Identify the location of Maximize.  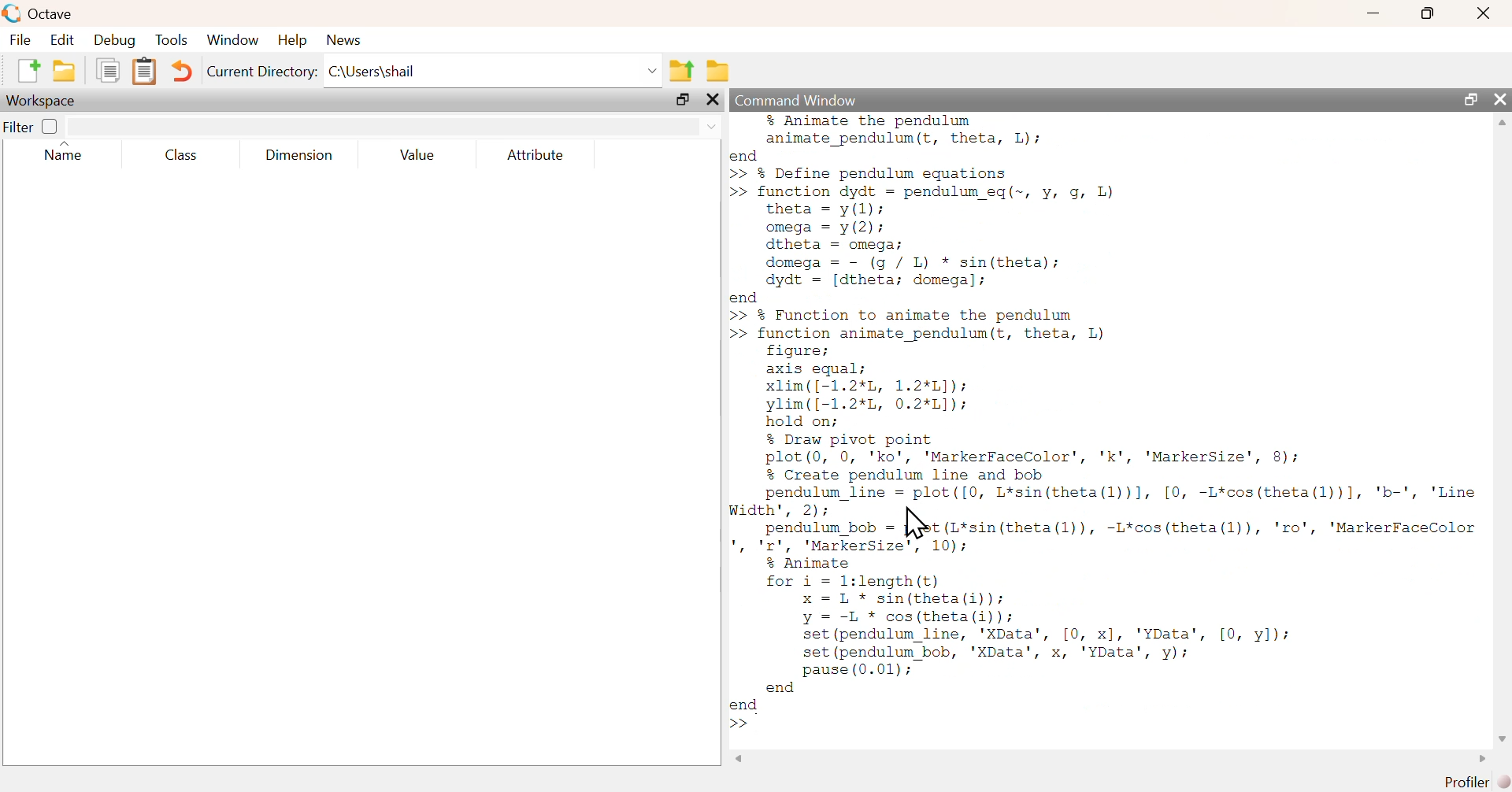
(685, 102).